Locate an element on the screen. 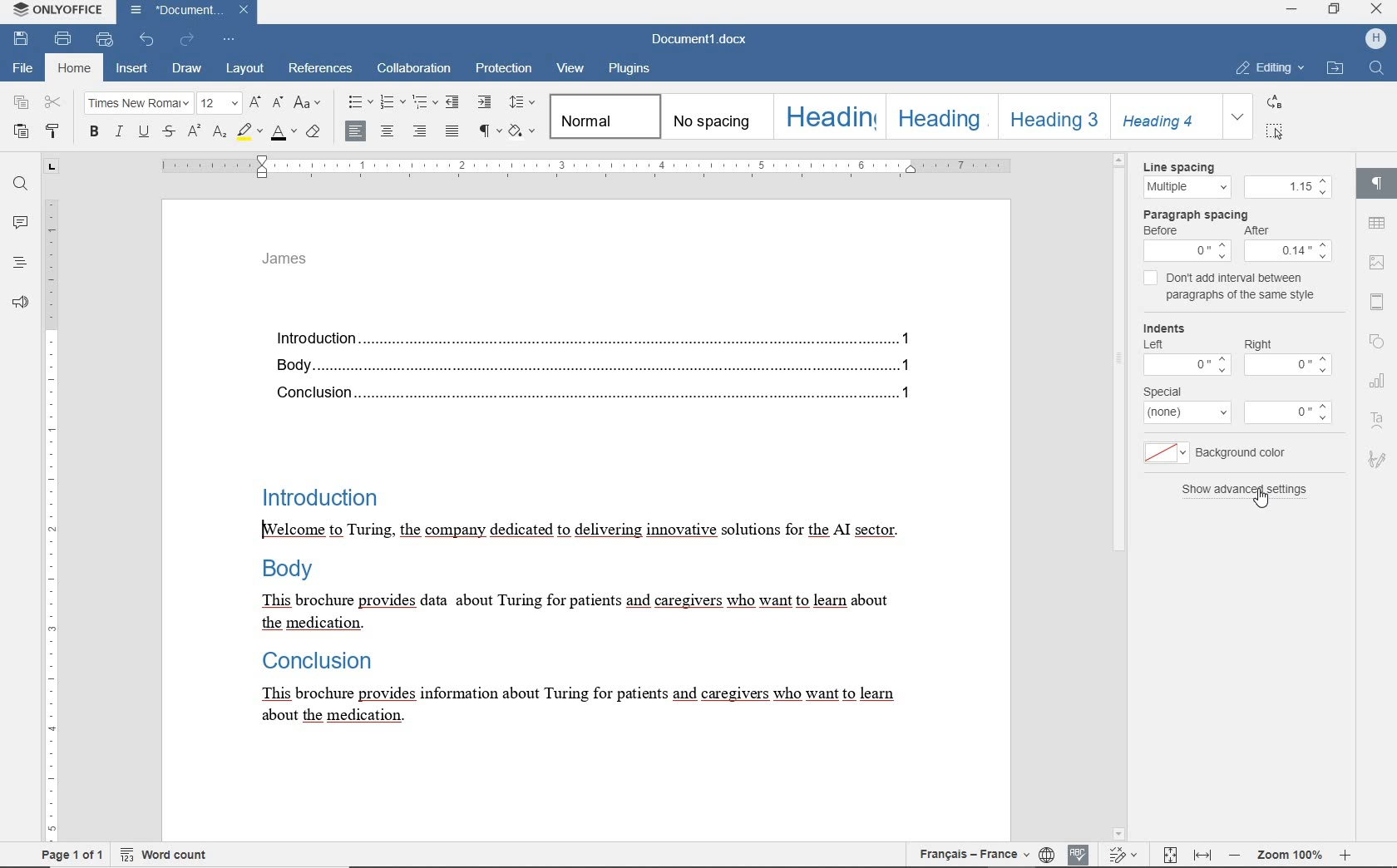 The width and height of the screenshot is (1397, 868). normal is located at coordinates (604, 116).